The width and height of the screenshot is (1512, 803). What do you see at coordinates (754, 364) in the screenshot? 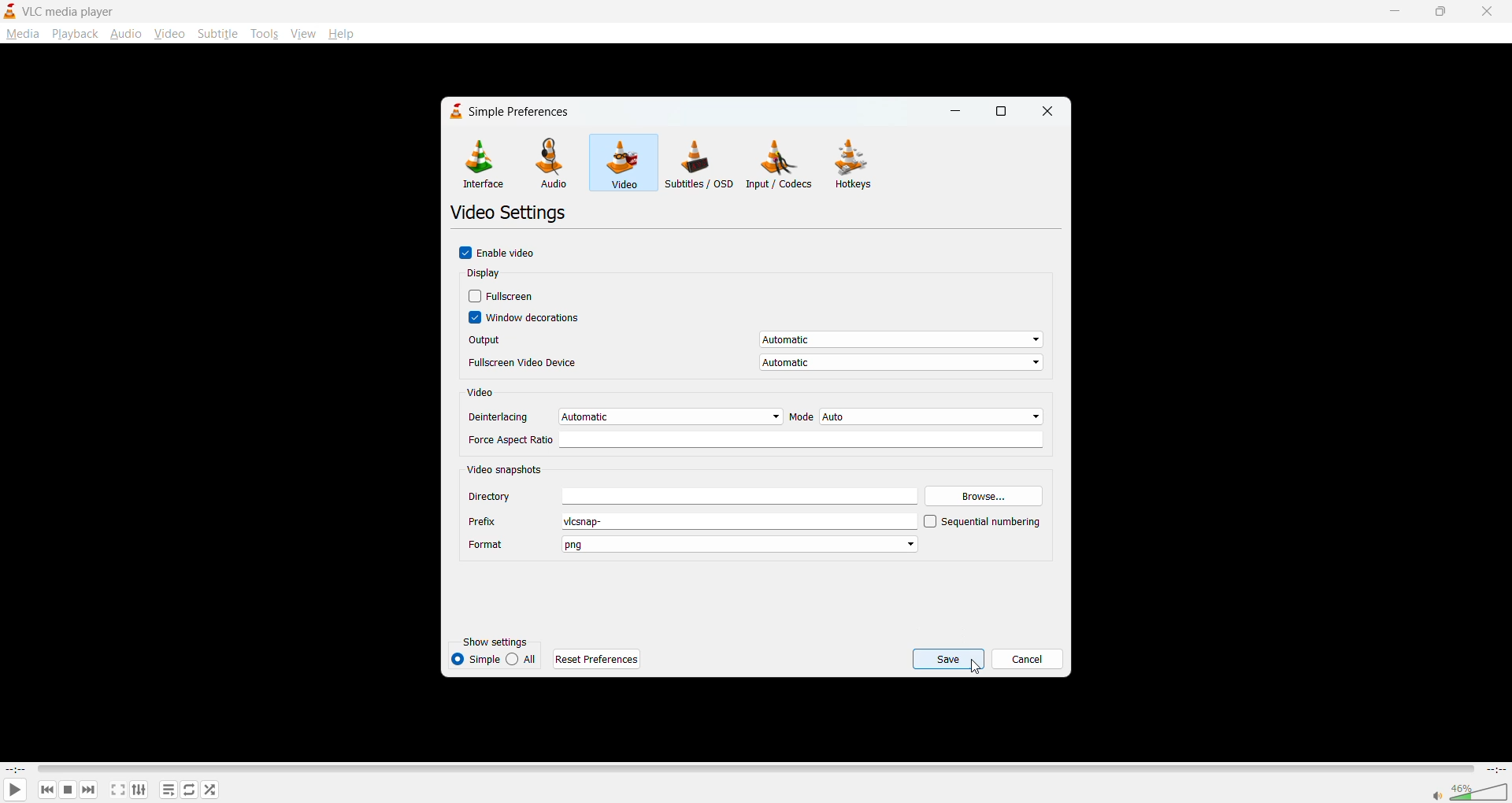
I see `fullscreen video device` at bounding box center [754, 364].